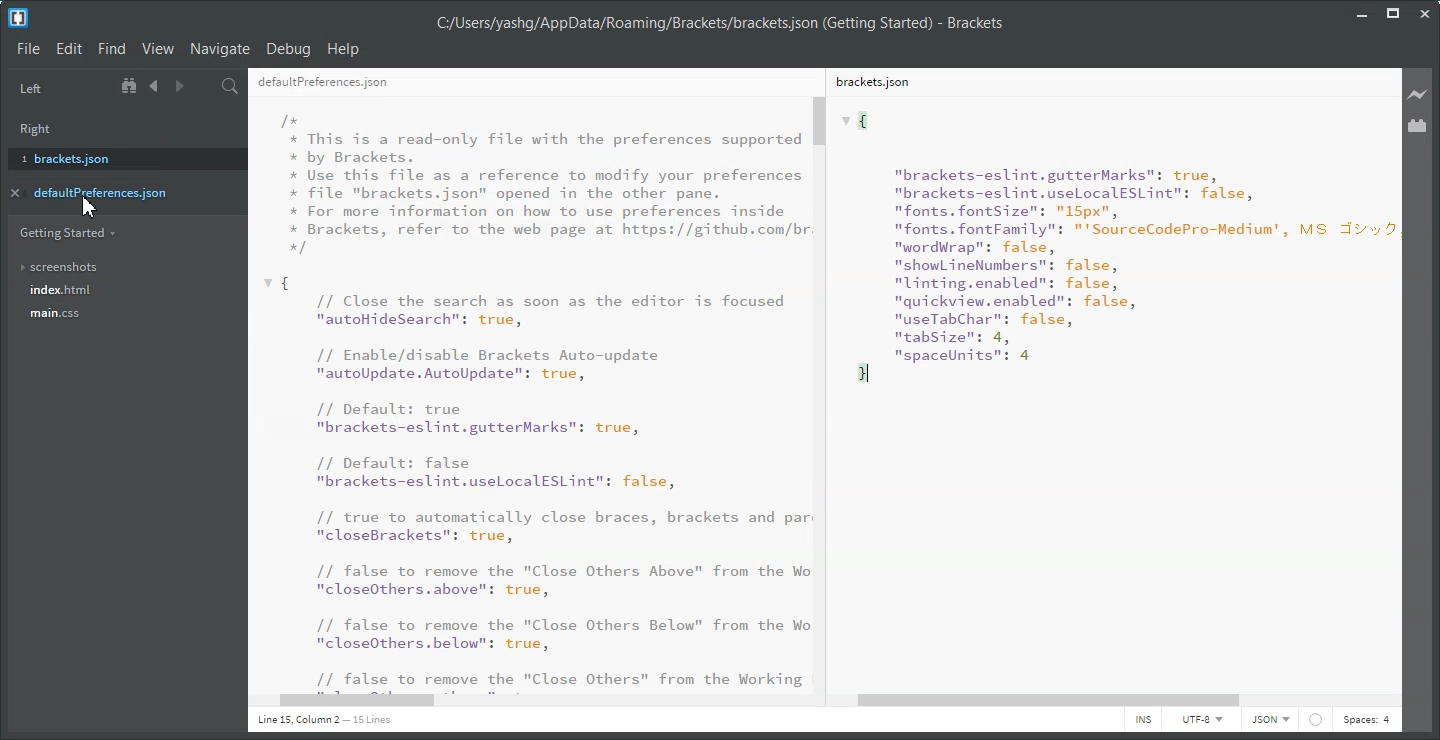 The width and height of the screenshot is (1440, 740). What do you see at coordinates (124, 291) in the screenshot?
I see `index.html` at bounding box center [124, 291].